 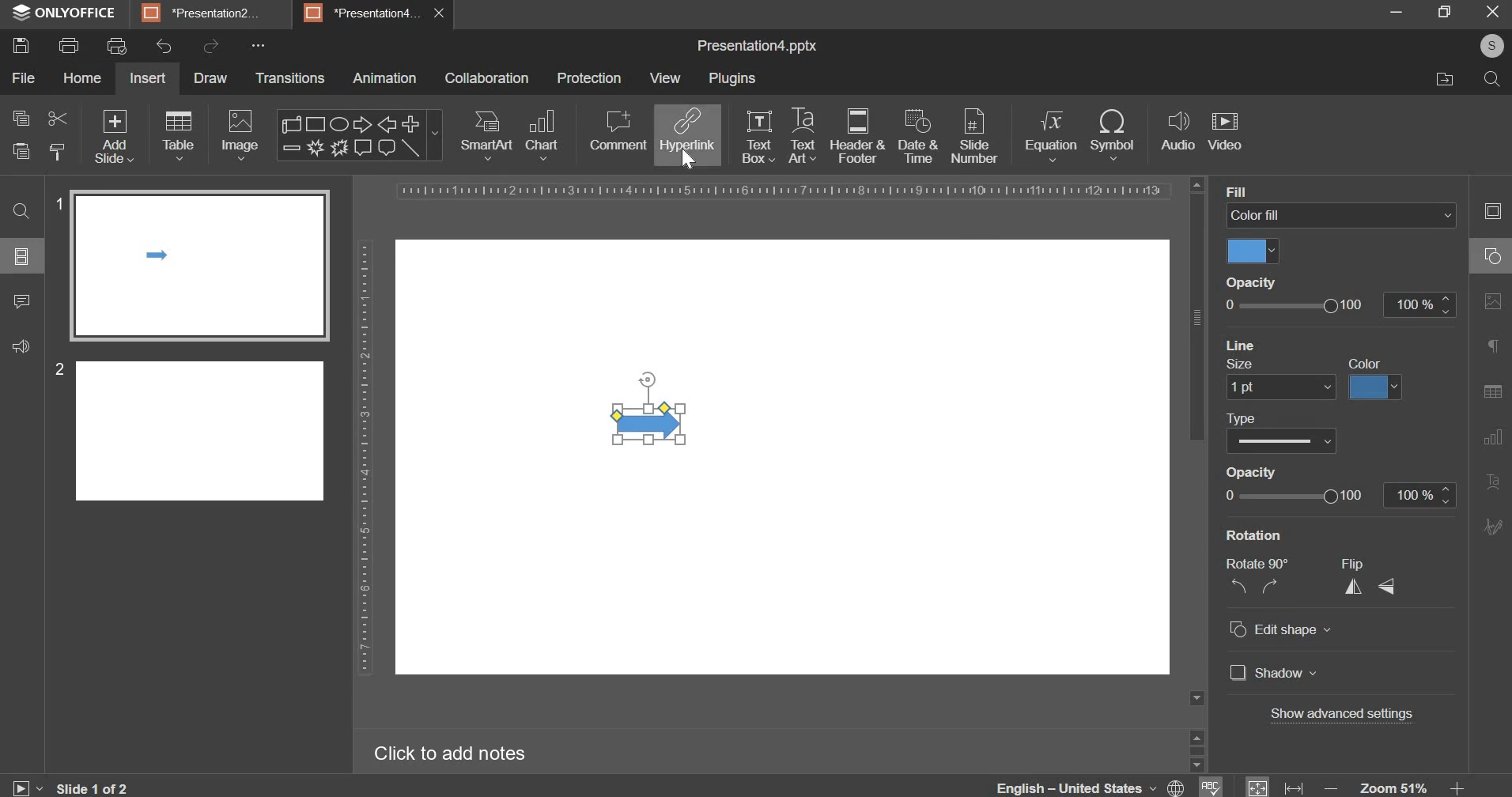 I want to click on plugins, so click(x=731, y=79).